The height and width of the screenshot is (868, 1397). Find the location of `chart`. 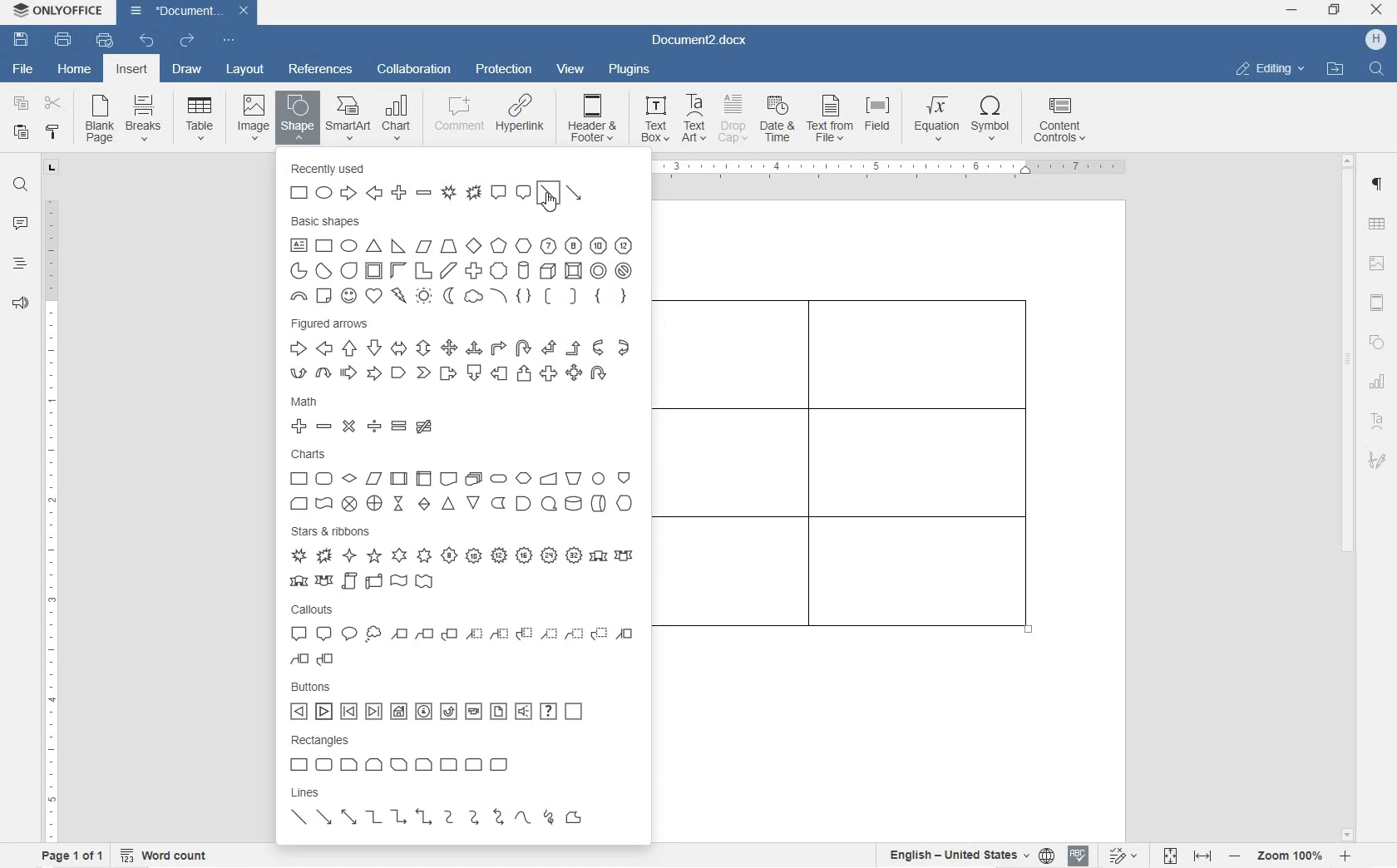

chart is located at coordinates (1380, 381).